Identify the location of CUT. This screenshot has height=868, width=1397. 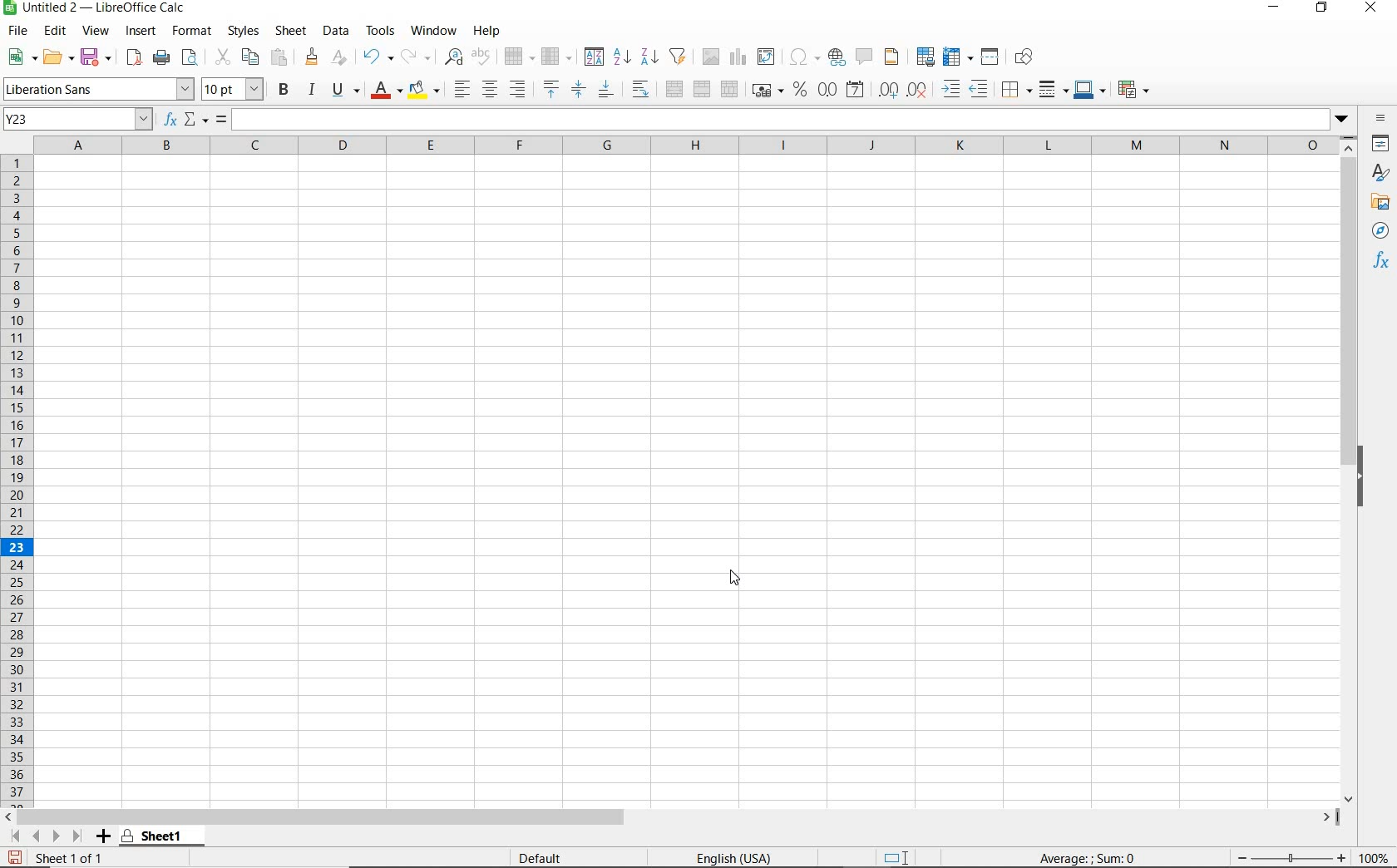
(221, 56).